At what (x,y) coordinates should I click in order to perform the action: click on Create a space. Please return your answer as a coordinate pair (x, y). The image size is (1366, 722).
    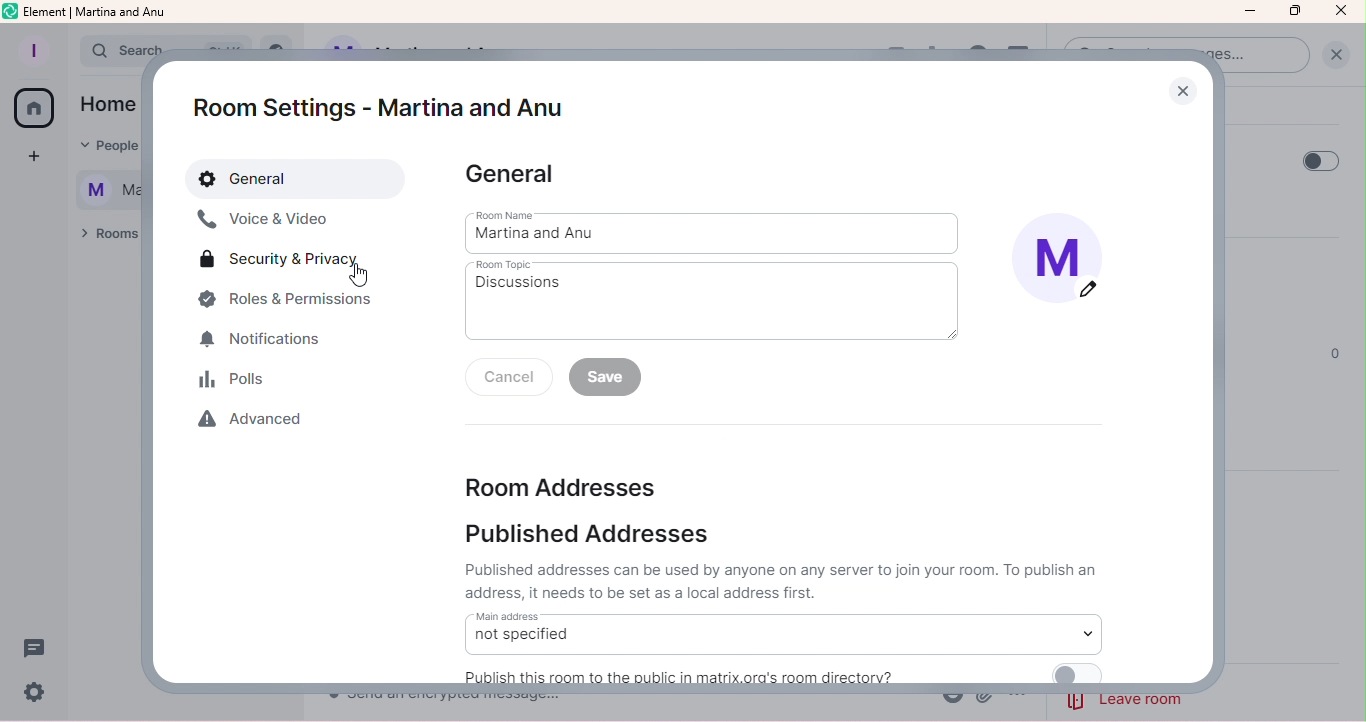
    Looking at the image, I should click on (38, 160).